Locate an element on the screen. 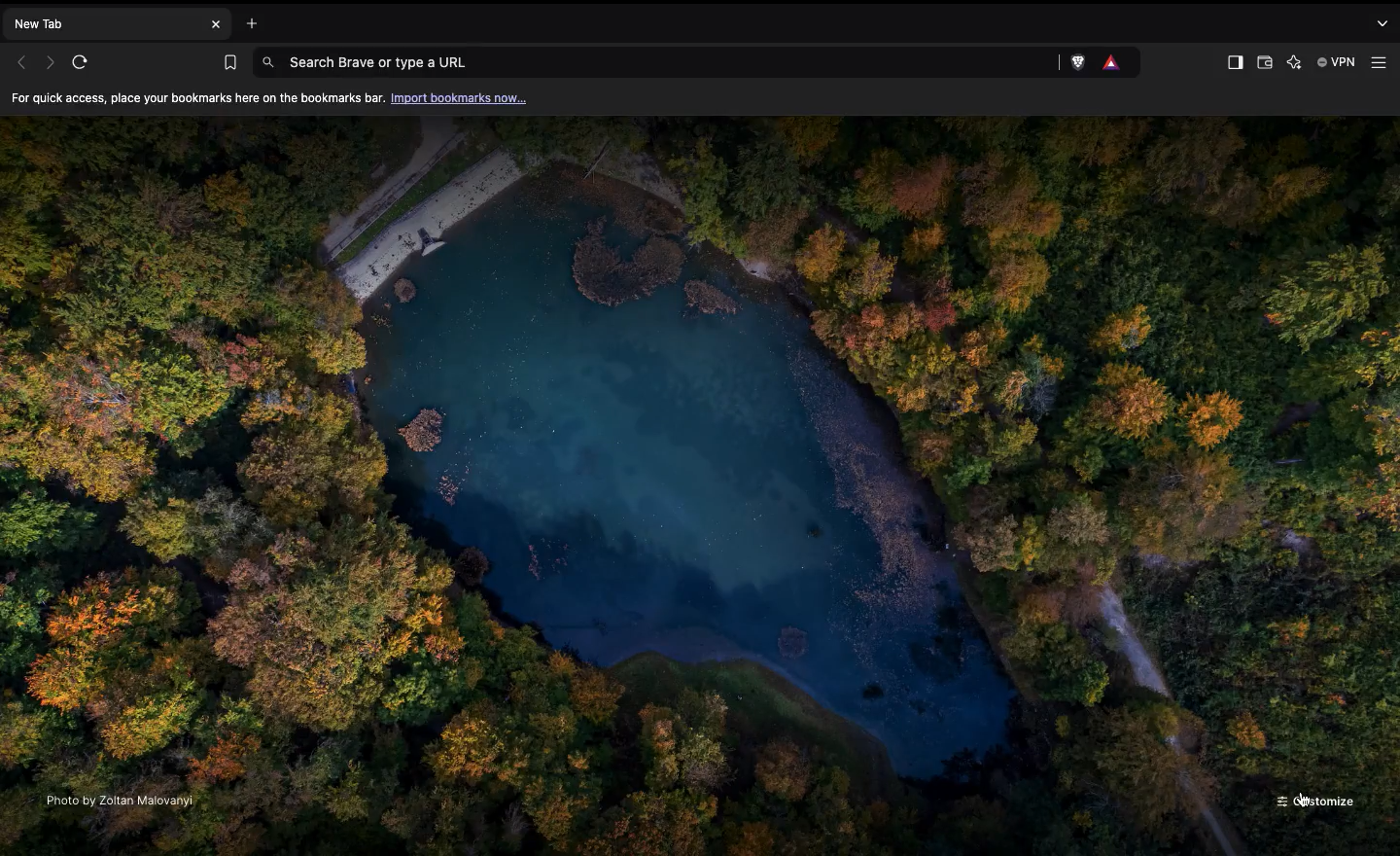 The height and width of the screenshot is (856, 1400). New tab is located at coordinates (105, 24).